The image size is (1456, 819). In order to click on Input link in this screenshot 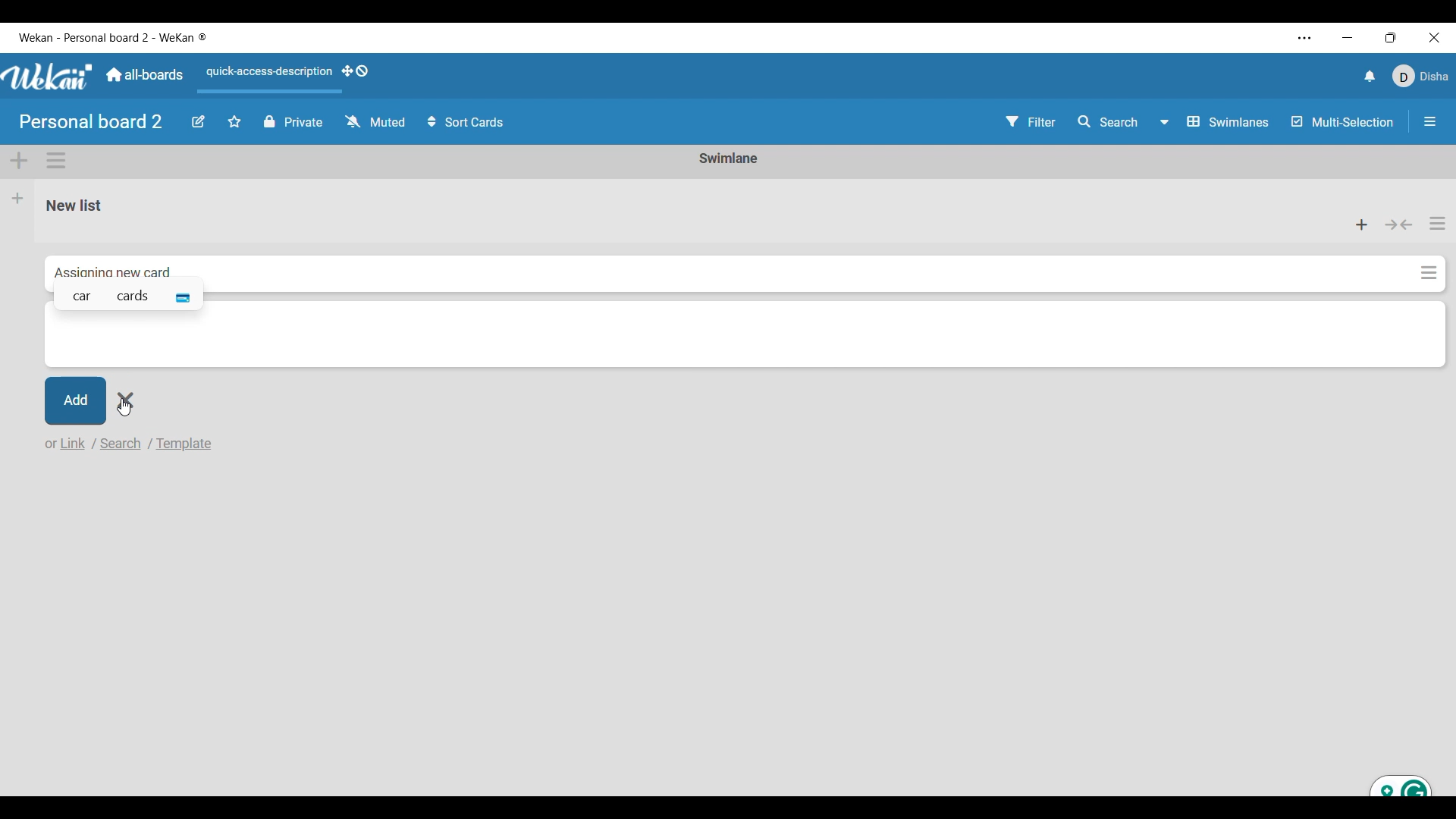, I will do `click(75, 443)`.